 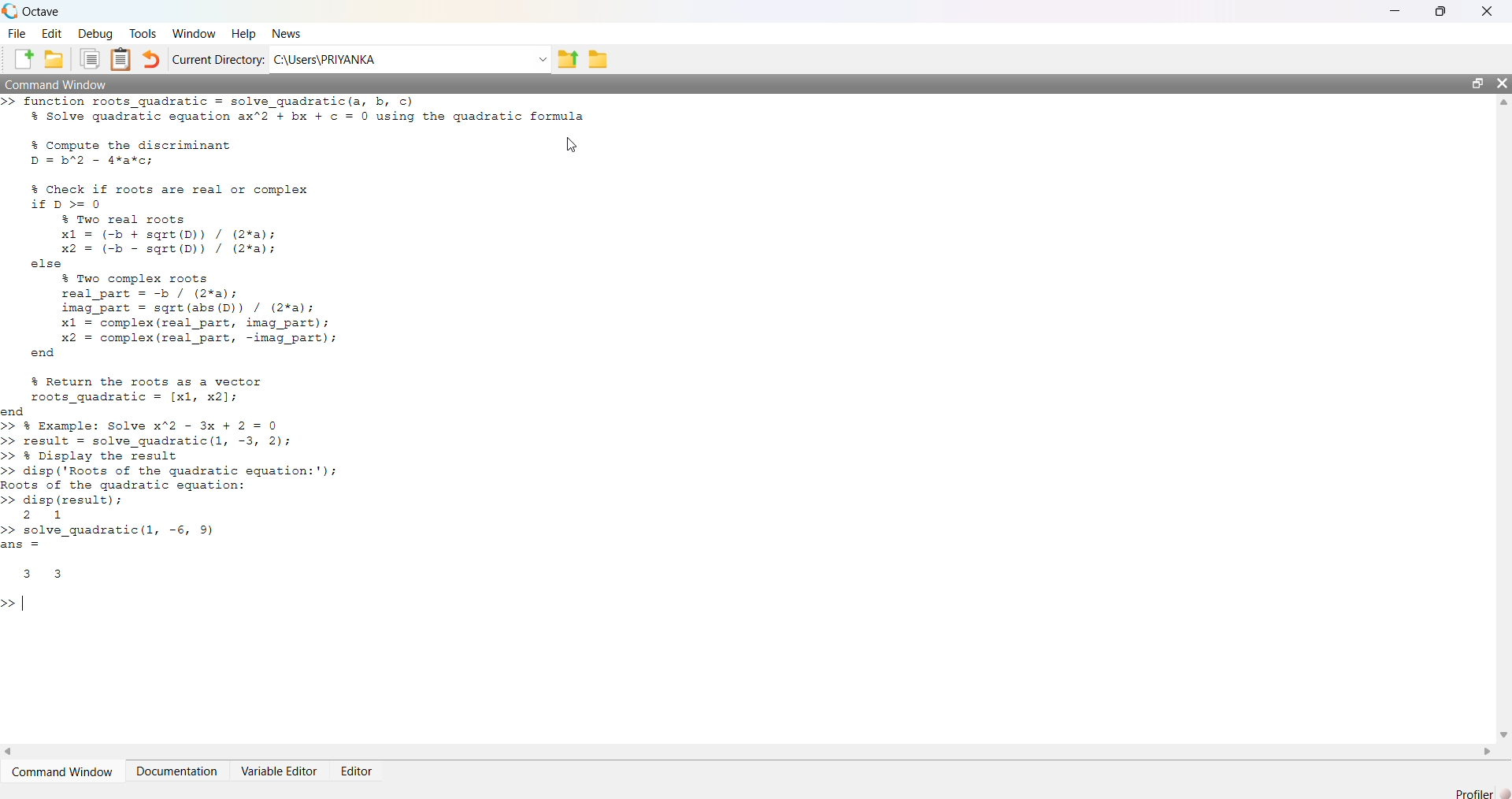 I want to click on Left, so click(x=9, y=753).